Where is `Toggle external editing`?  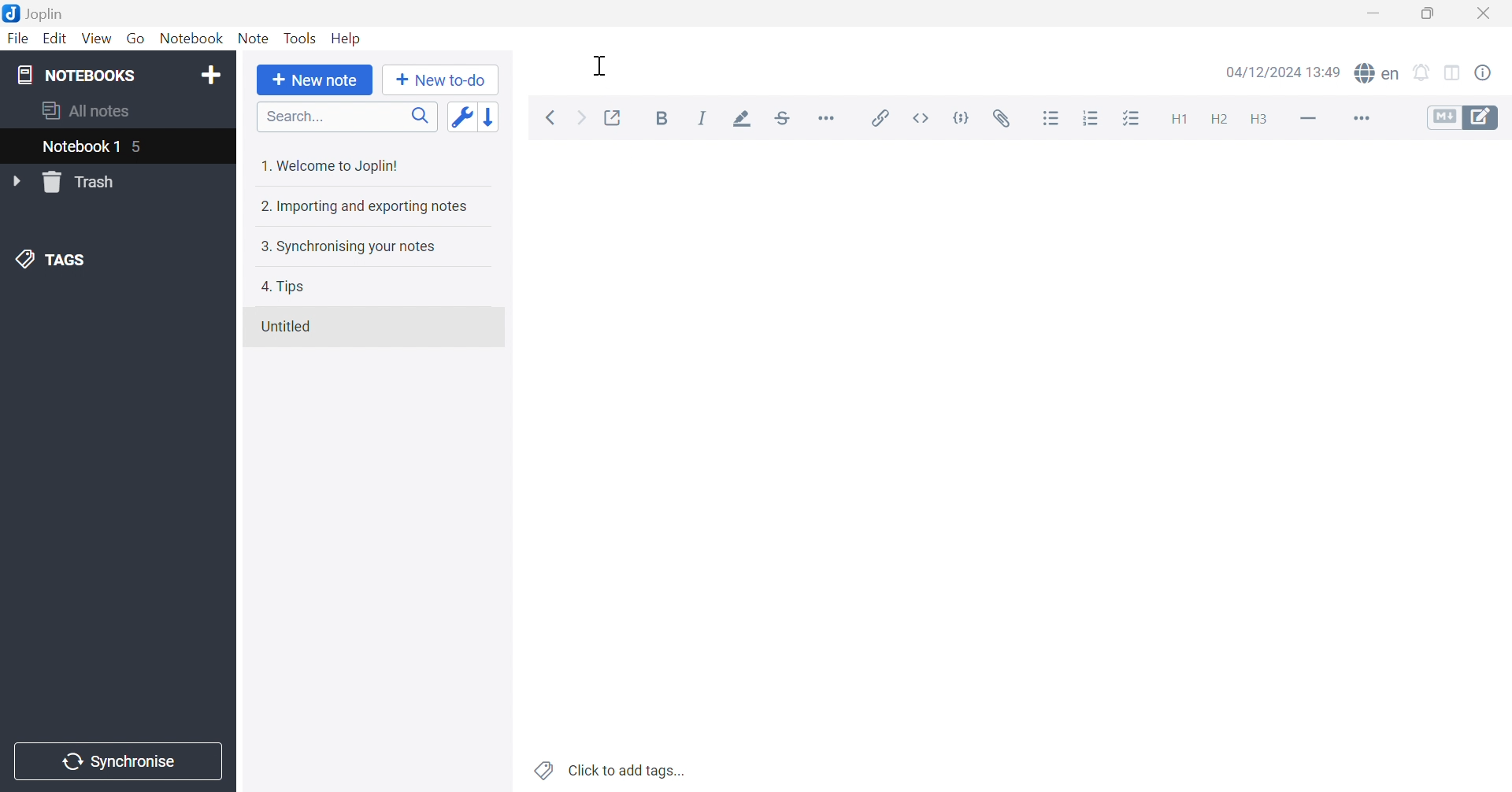
Toggle external editing is located at coordinates (613, 116).